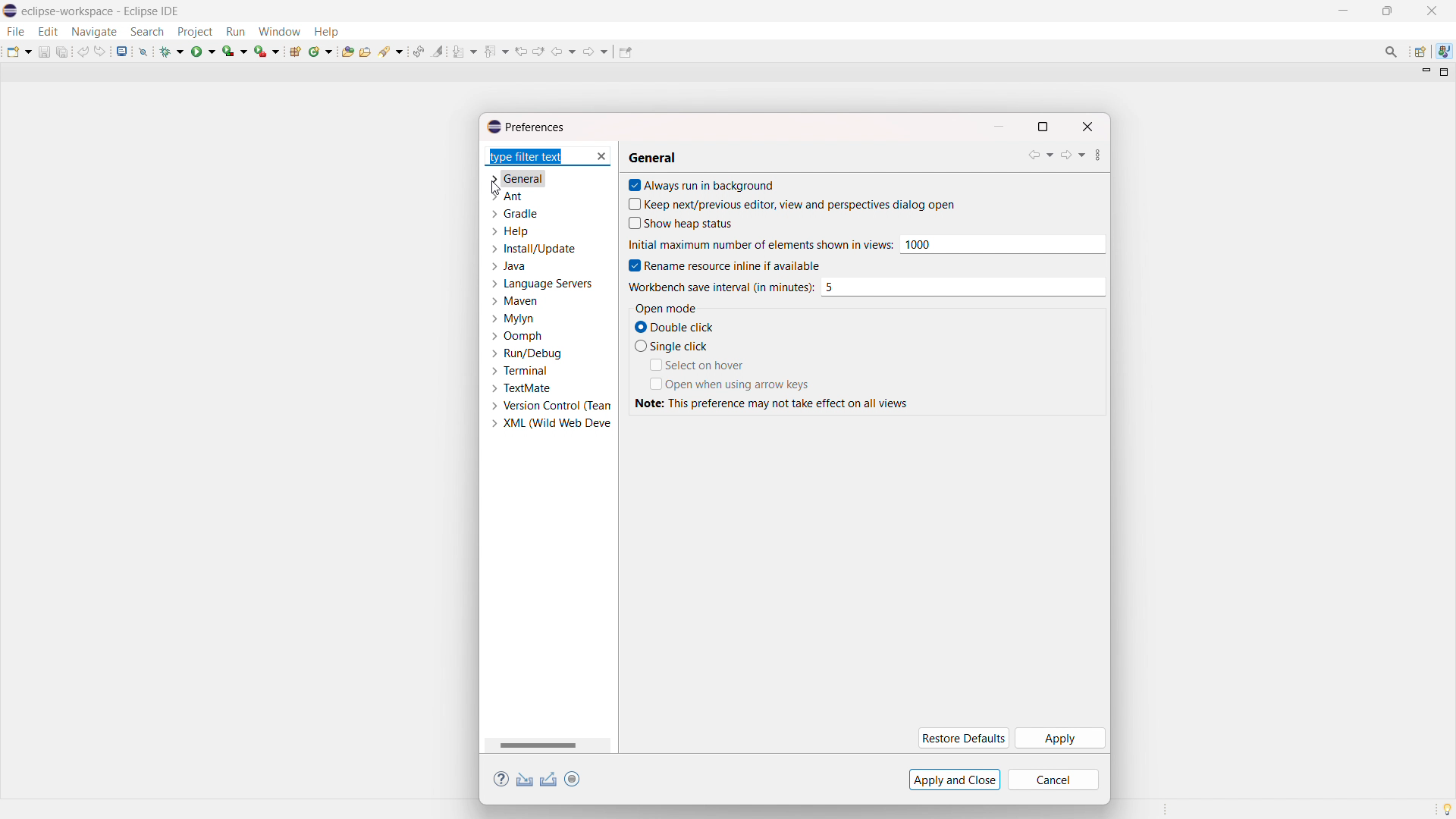  I want to click on language servers, so click(541, 283).